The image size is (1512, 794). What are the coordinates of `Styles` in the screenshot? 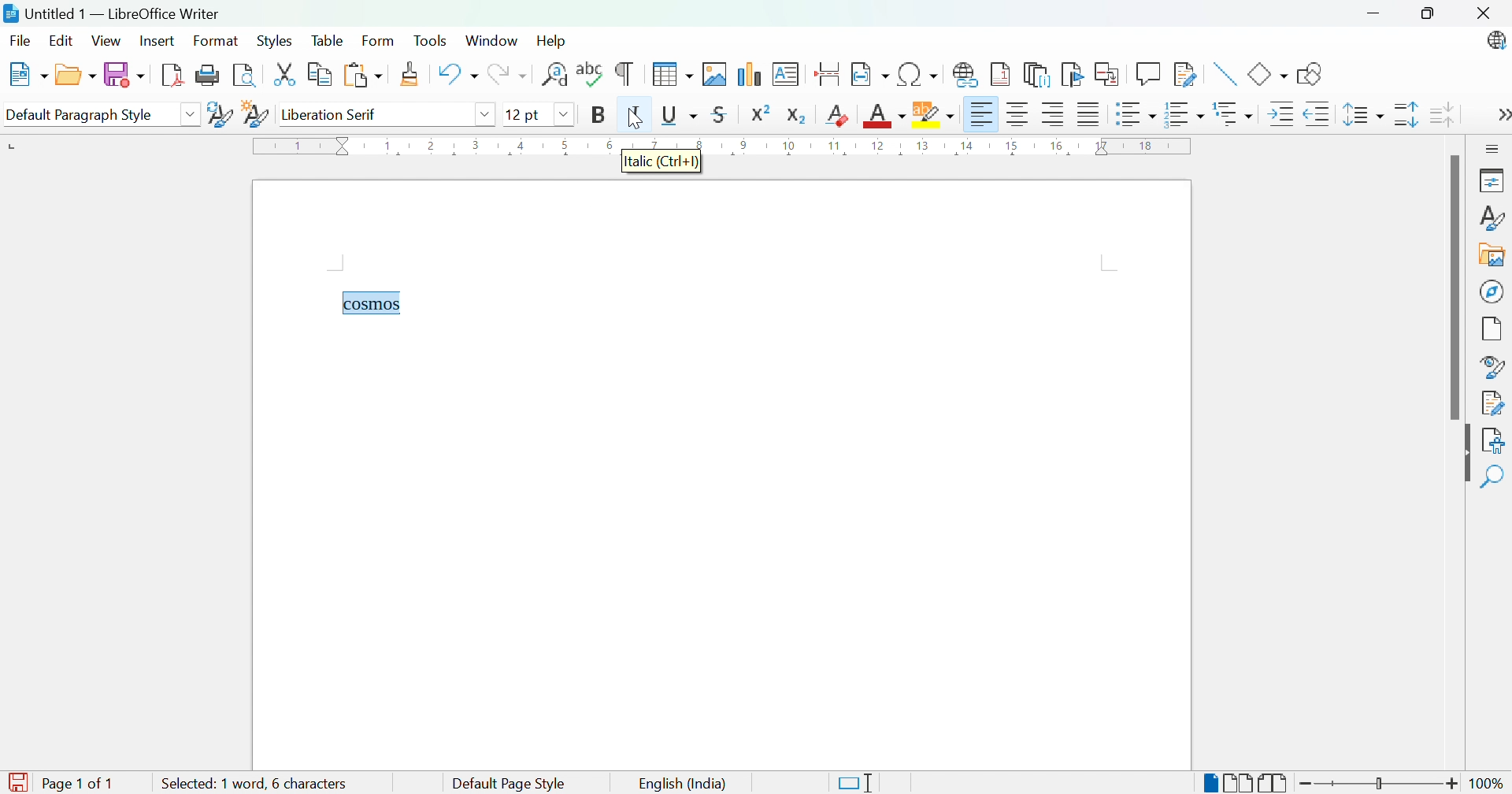 It's located at (1492, 219).